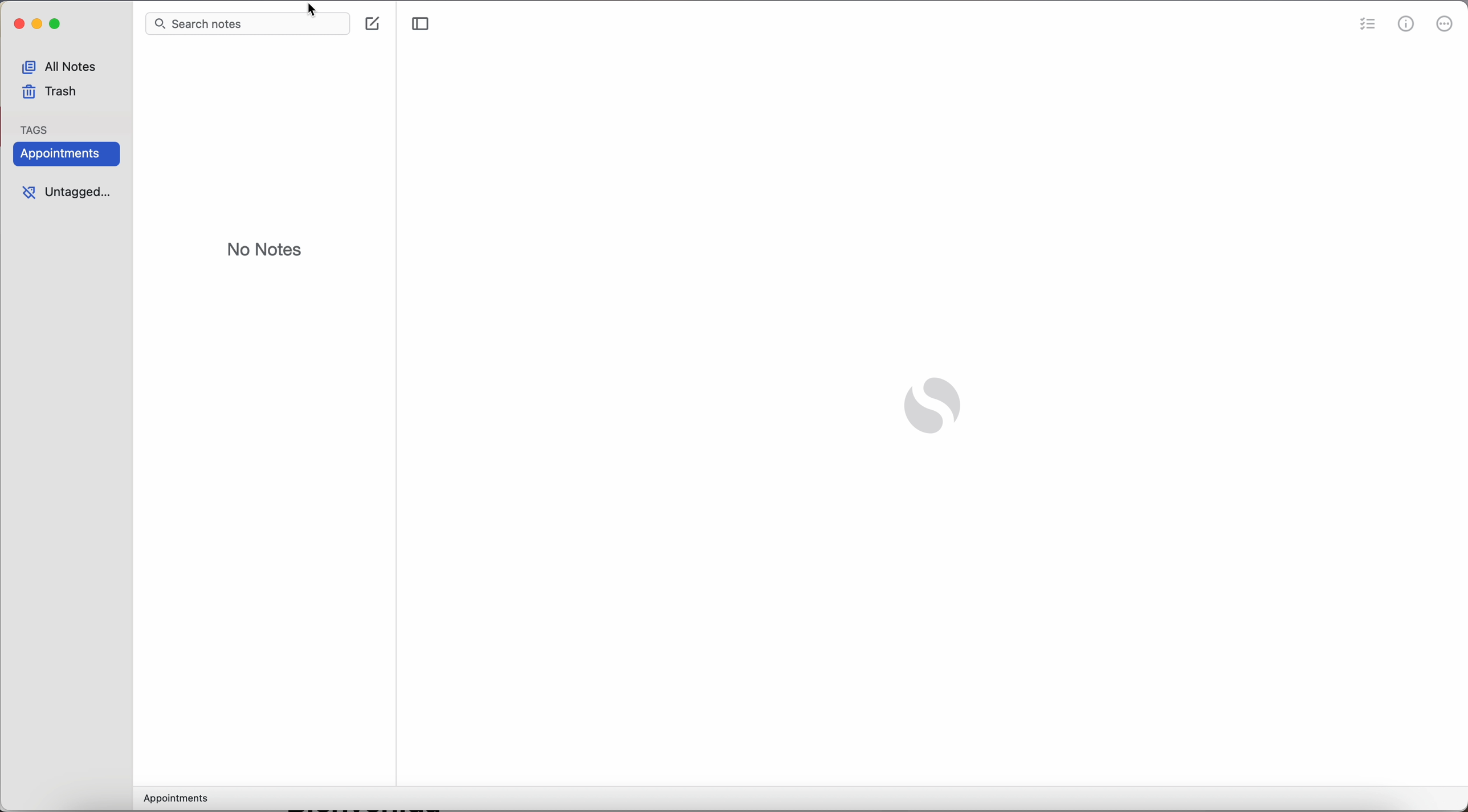 Image resolution: width=1468 pixels, height=812 pixels. What do you see at coordinates (17, 26) in the screenshot?
I see `close simplenote` at bounding box center [17, 26].